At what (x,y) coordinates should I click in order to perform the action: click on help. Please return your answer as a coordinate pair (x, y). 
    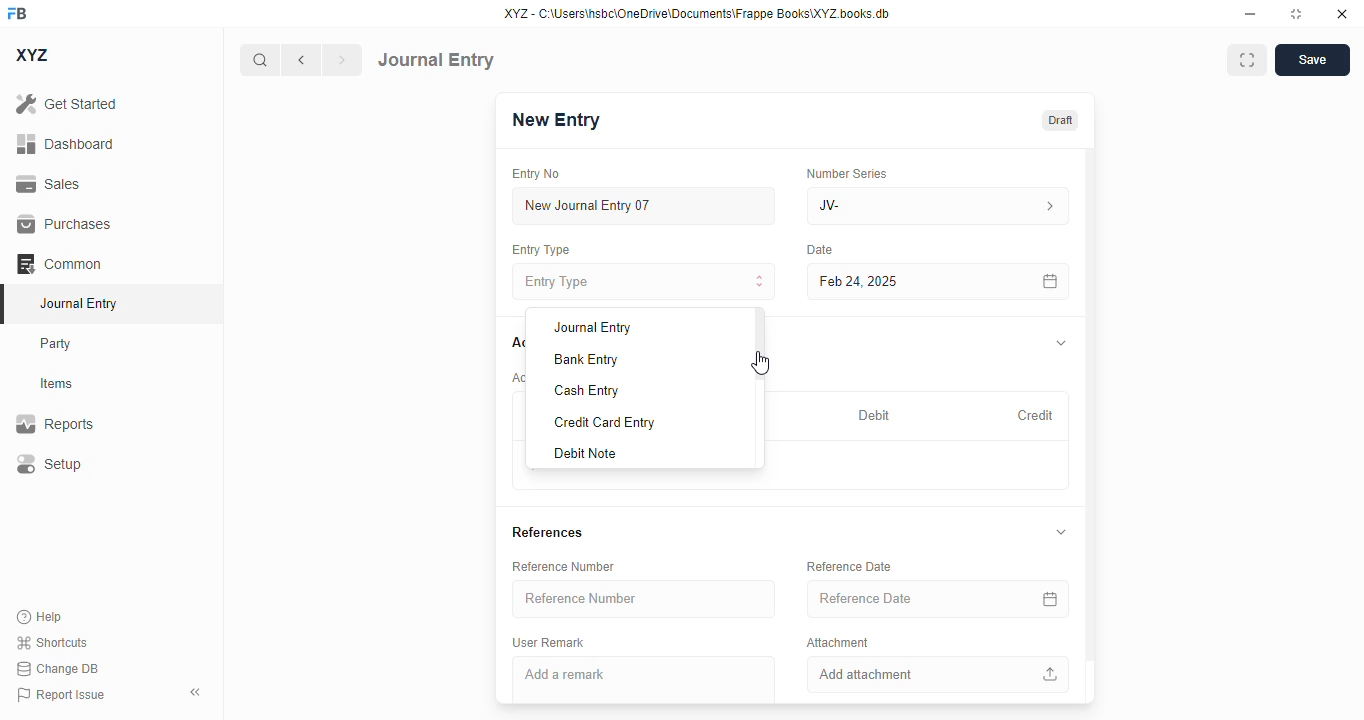
    Looking at the image, I should click on (40, 617).